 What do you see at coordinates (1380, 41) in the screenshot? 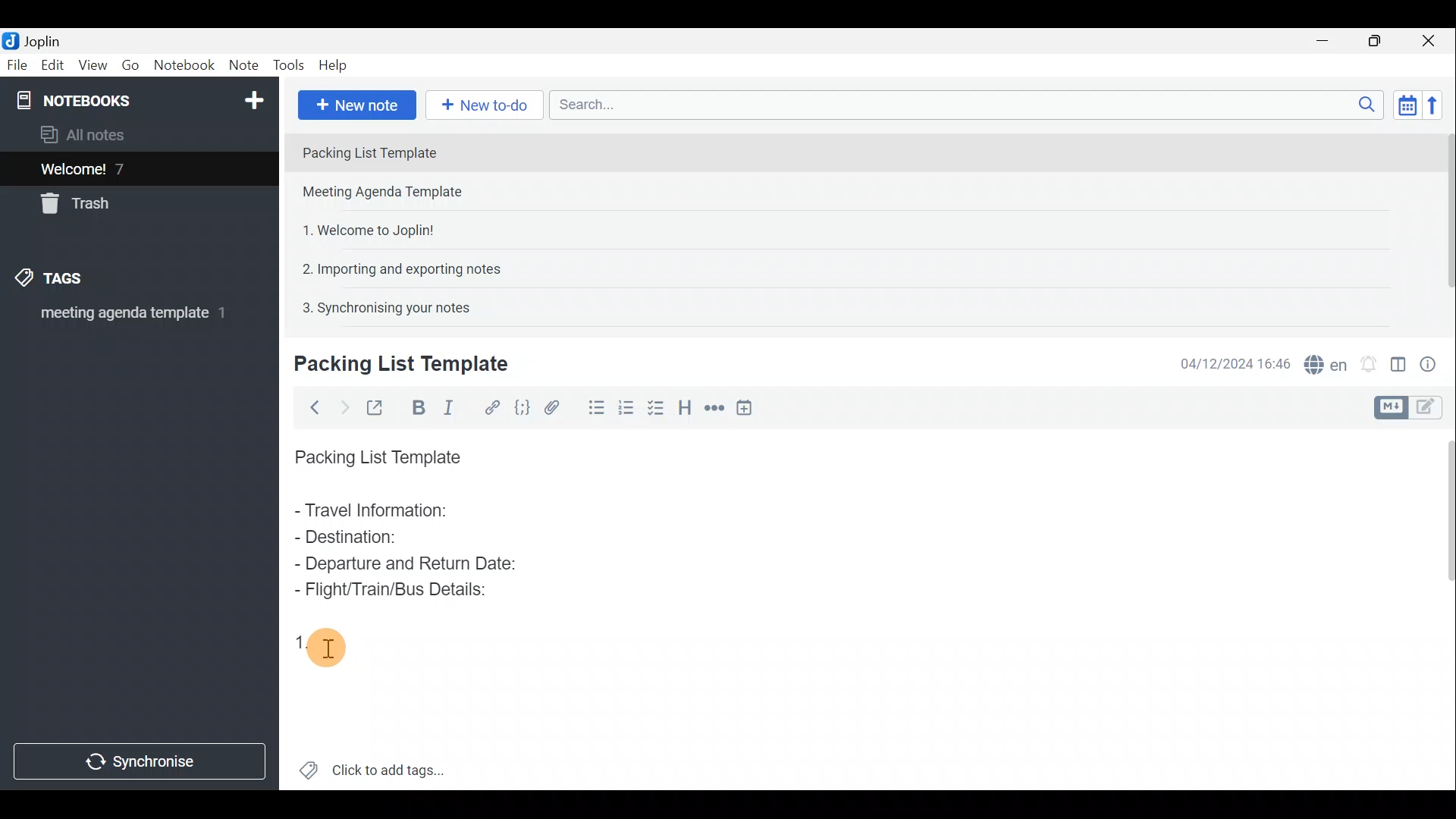
I see `Maximise` at bounding box center [1380, 41].